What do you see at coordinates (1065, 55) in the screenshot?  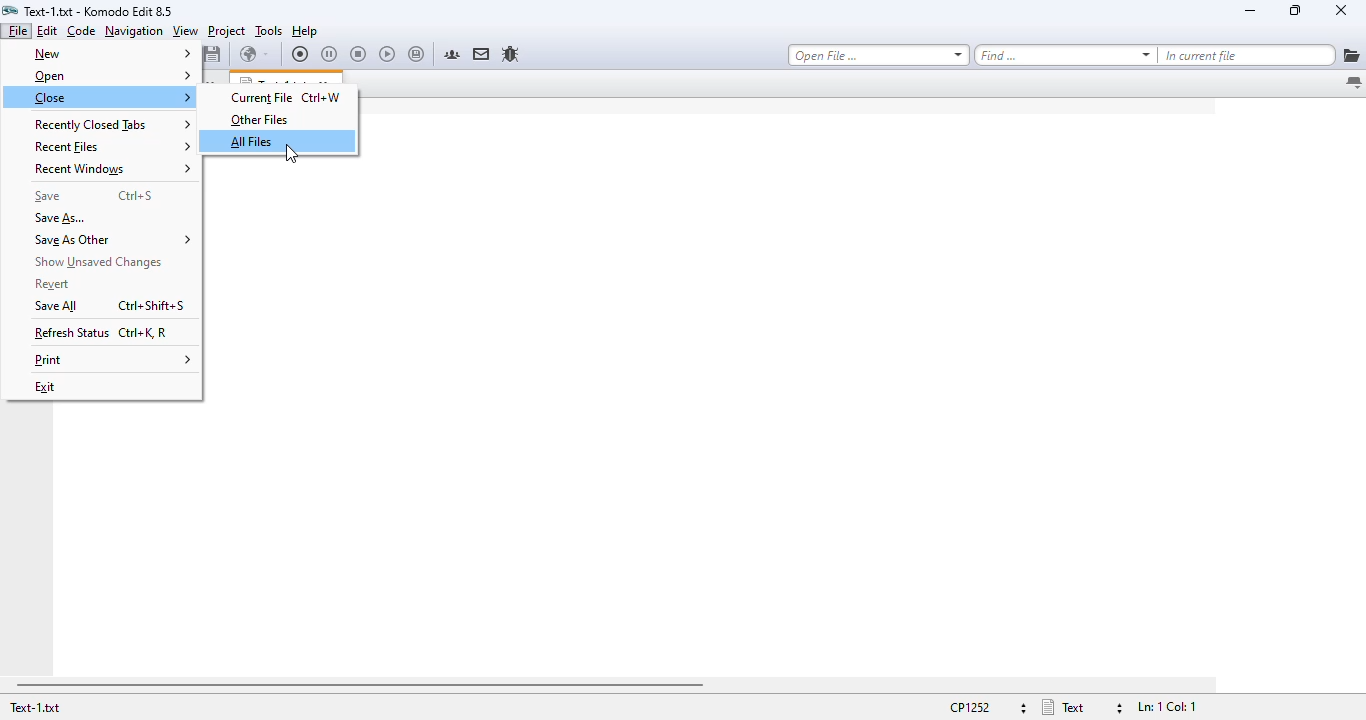 I see `find ` at bounding box center [1065, 55].